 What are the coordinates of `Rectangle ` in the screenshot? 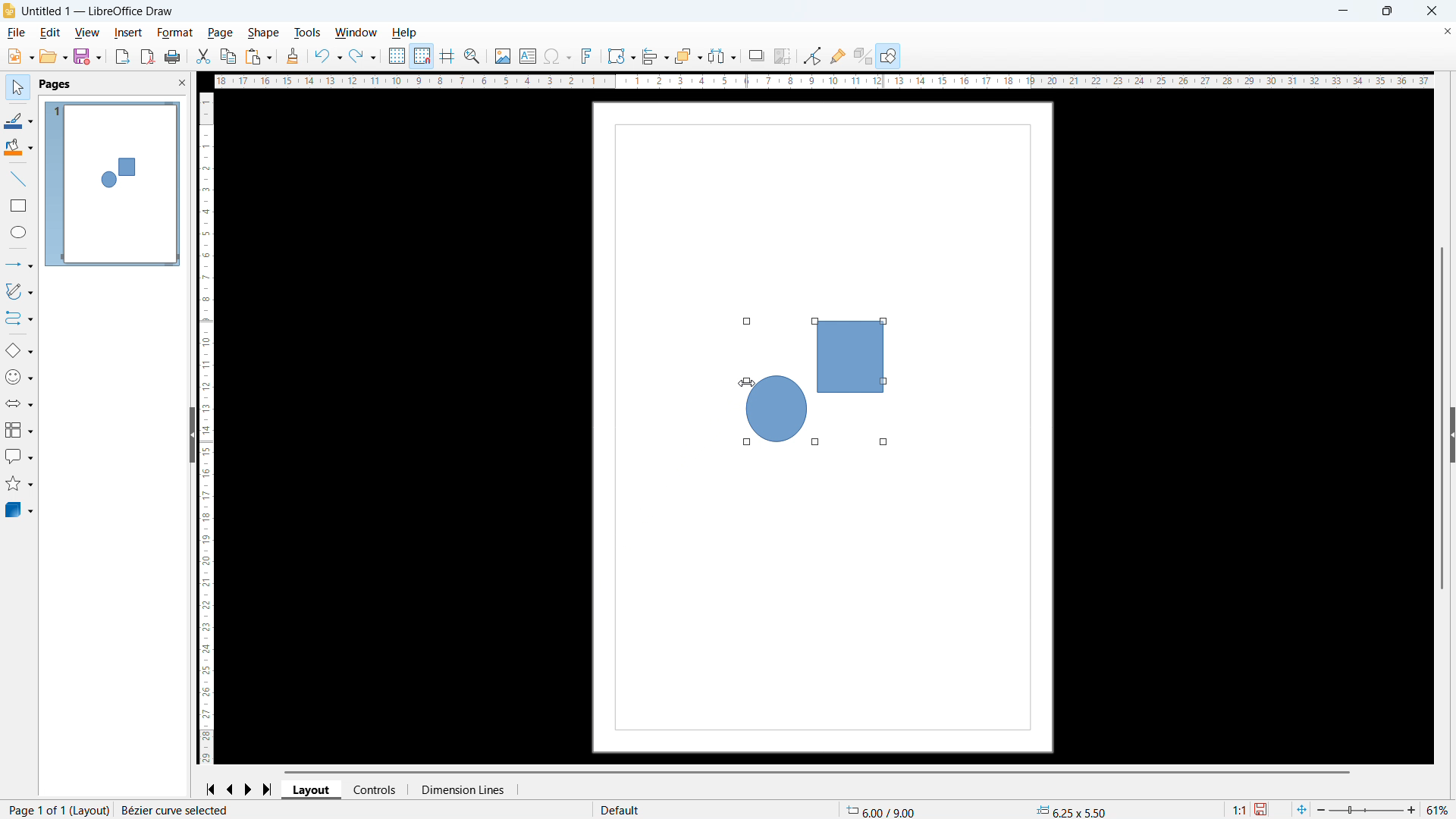 It's located at (19, 206).